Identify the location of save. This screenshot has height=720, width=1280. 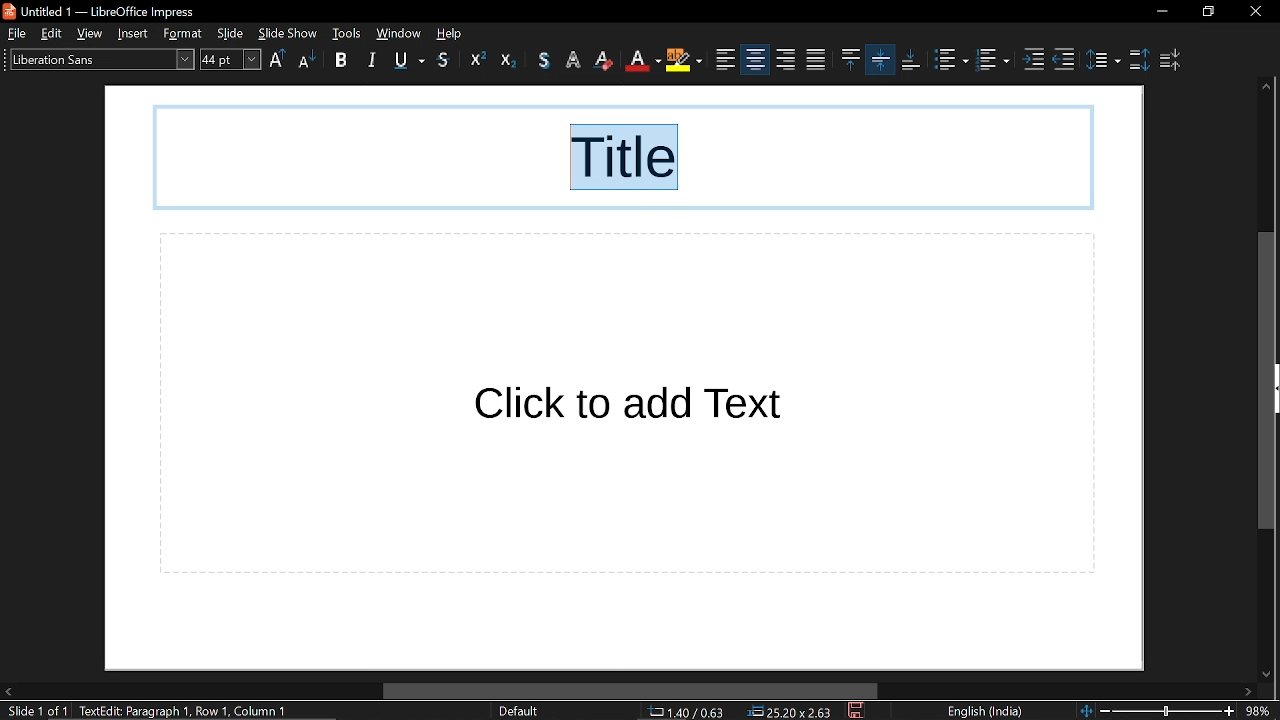
(858, 712).